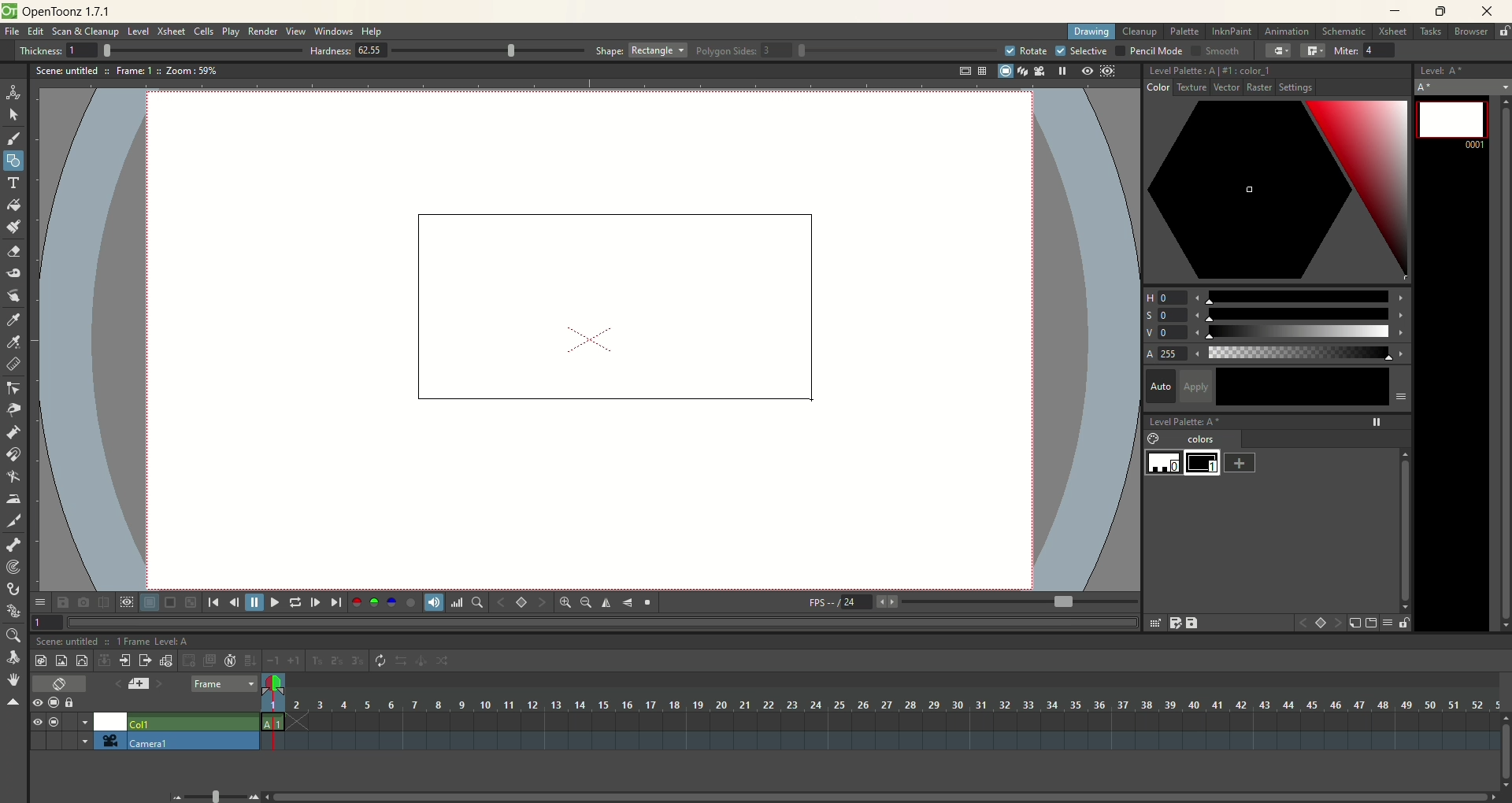 The height and width of the screenshot is (803, 1512). What do you see at coordinates (191, 661) in the screenshot?
I see `create blank drawing` at bounding box center [191, 661].